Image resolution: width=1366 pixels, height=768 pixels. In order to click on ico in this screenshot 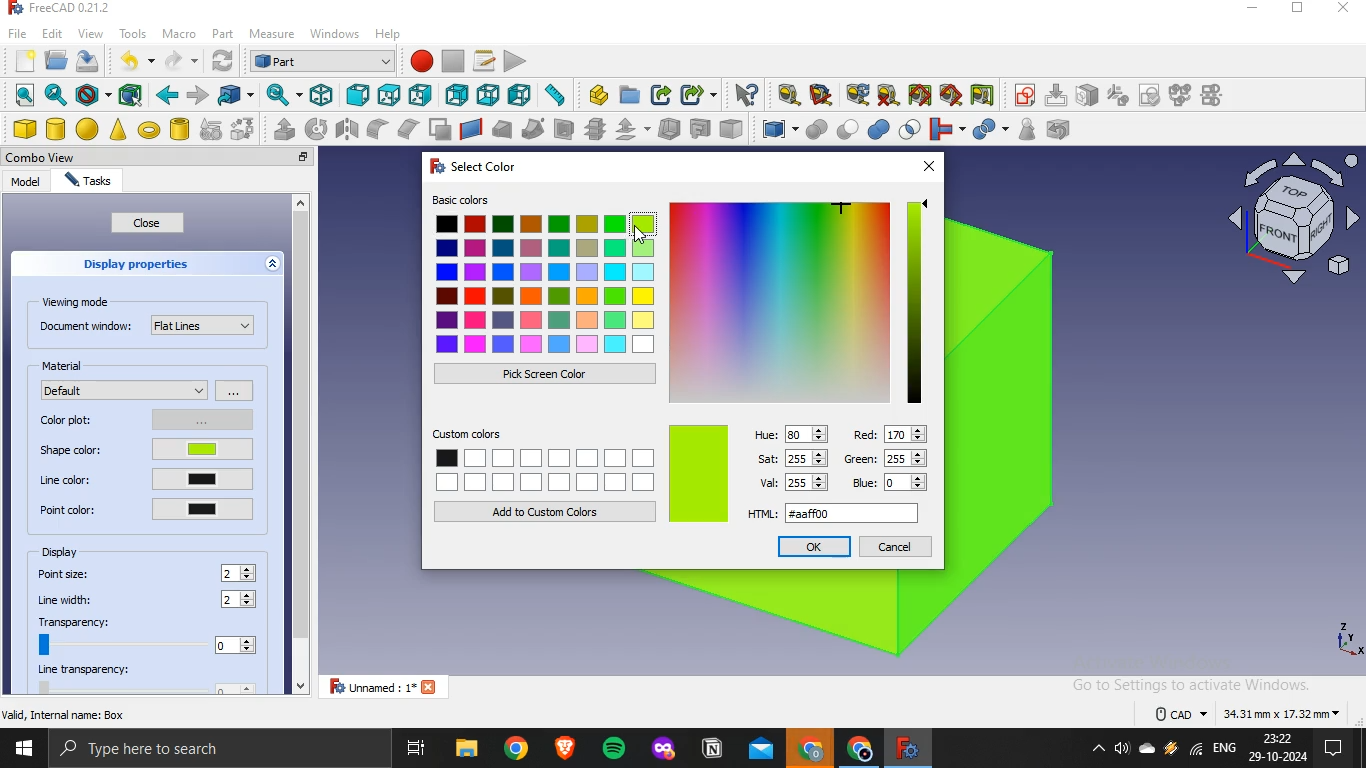, I will do `click(1298, 215)`.